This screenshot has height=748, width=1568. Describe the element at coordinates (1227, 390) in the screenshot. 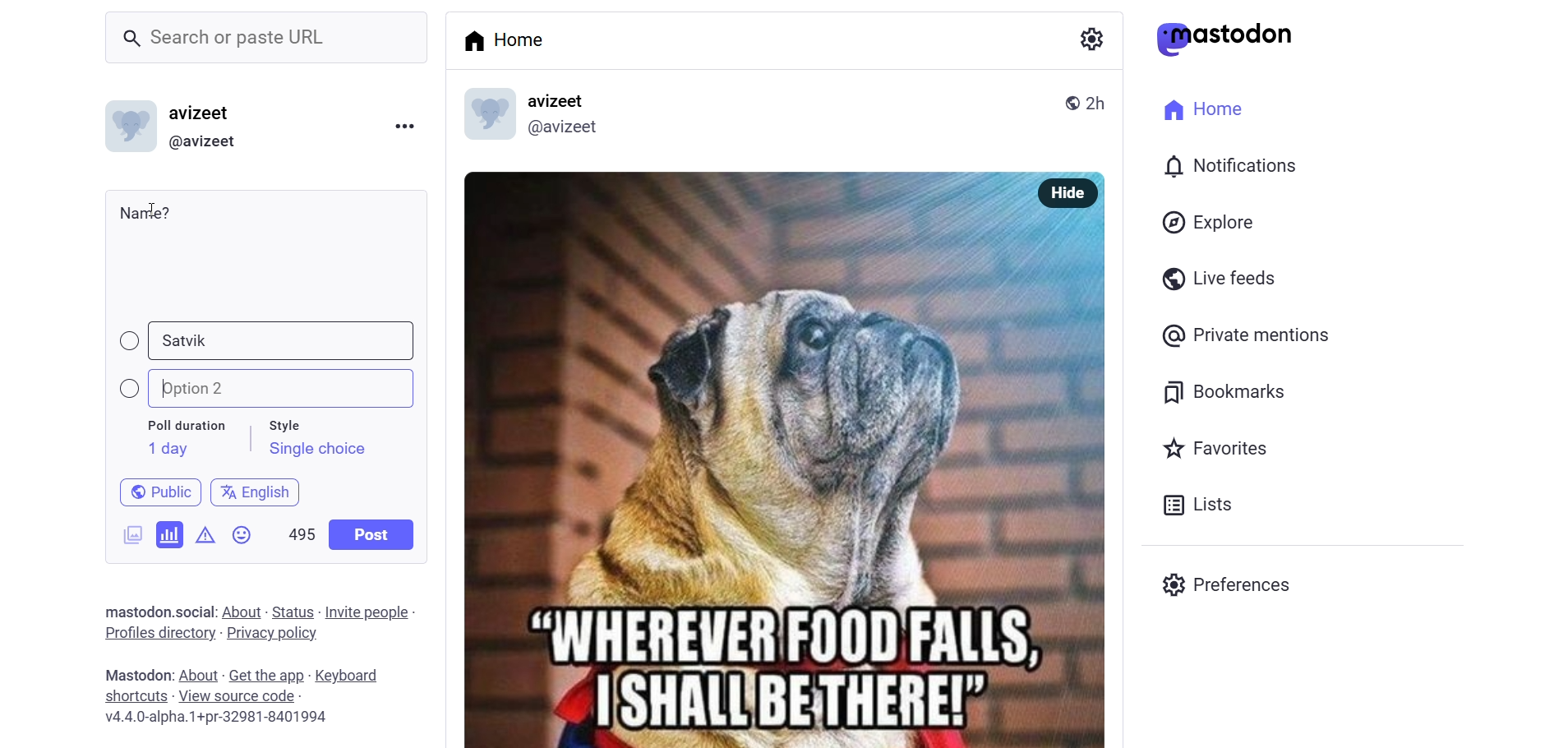

I see `bookmark` at that location.